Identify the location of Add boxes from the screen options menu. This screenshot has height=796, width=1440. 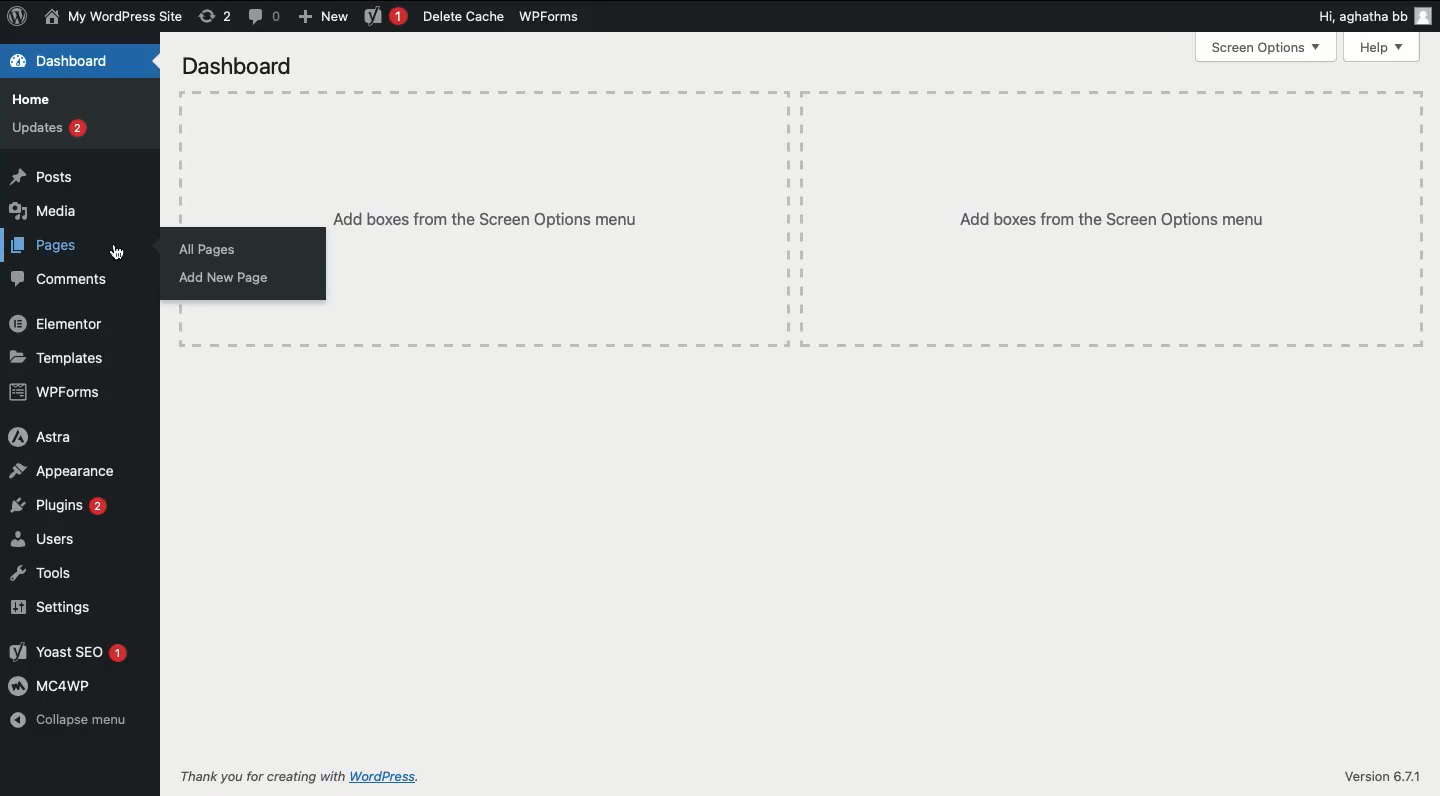
(1103, 221).